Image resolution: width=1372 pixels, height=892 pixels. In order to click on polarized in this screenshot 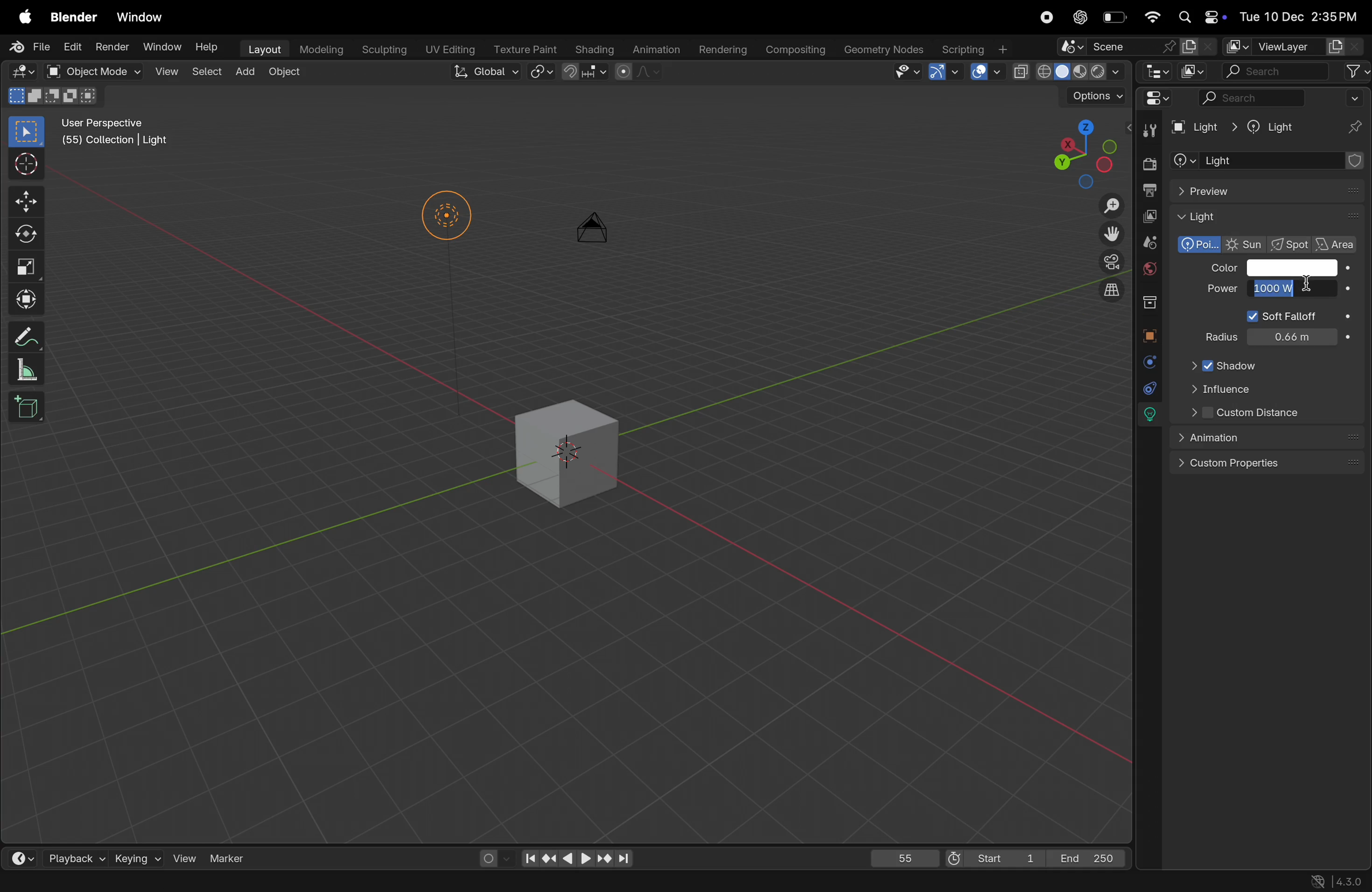, I will do `click(1198, 245)`.